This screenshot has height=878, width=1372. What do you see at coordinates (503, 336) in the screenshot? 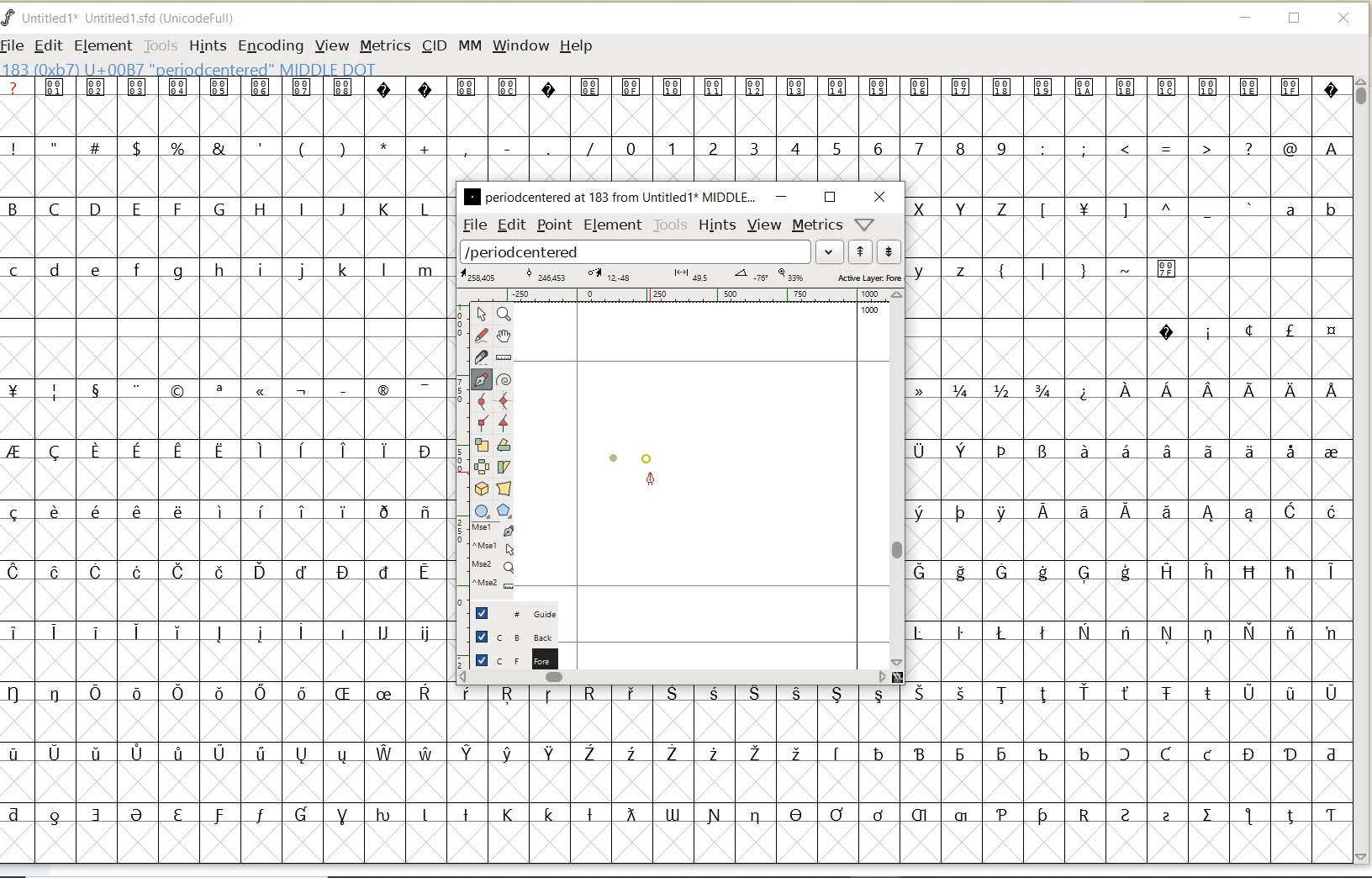
I see `scroll by hand` at bounding box center [503, 336].